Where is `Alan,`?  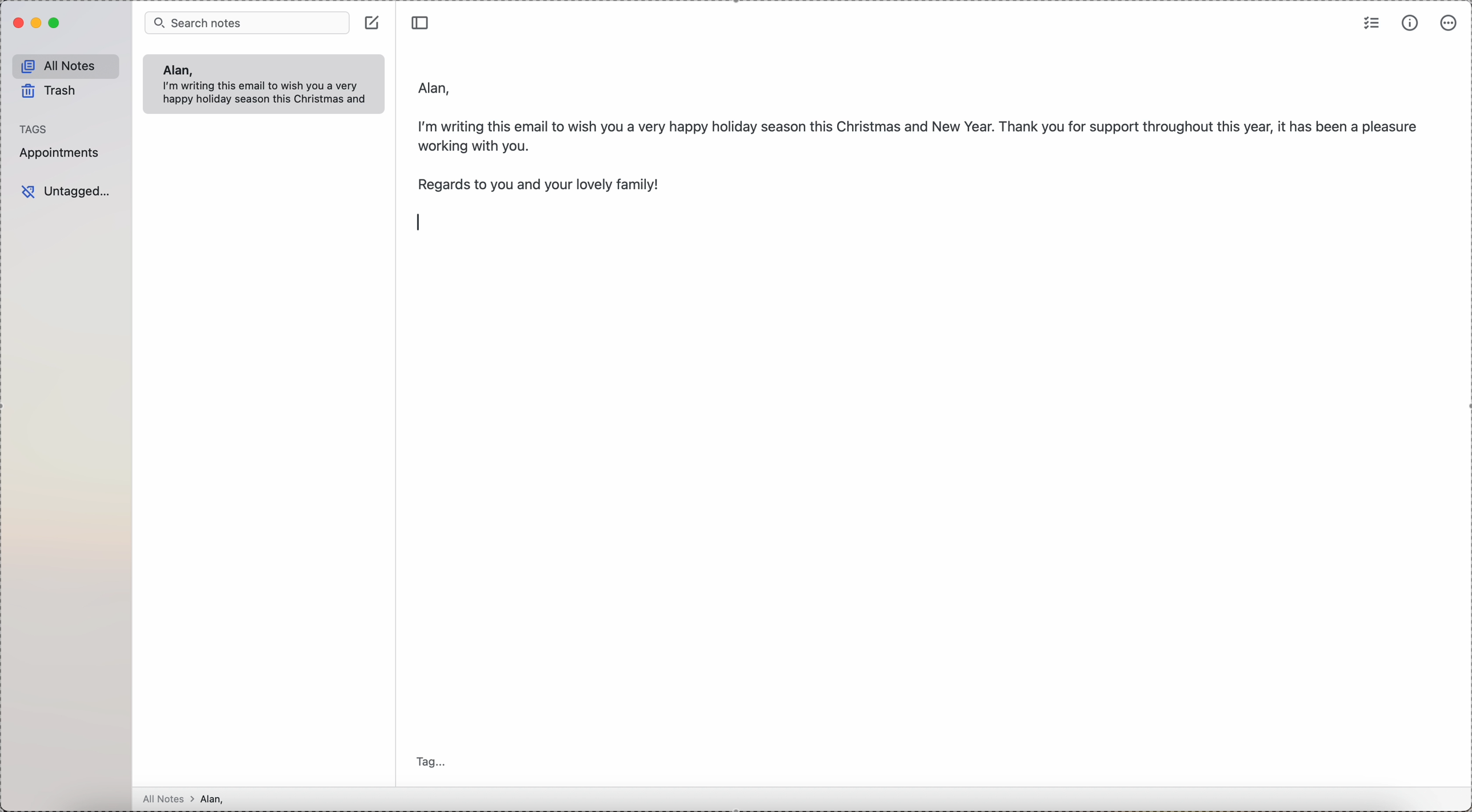
Alan, is located at coordinates (435, 85).